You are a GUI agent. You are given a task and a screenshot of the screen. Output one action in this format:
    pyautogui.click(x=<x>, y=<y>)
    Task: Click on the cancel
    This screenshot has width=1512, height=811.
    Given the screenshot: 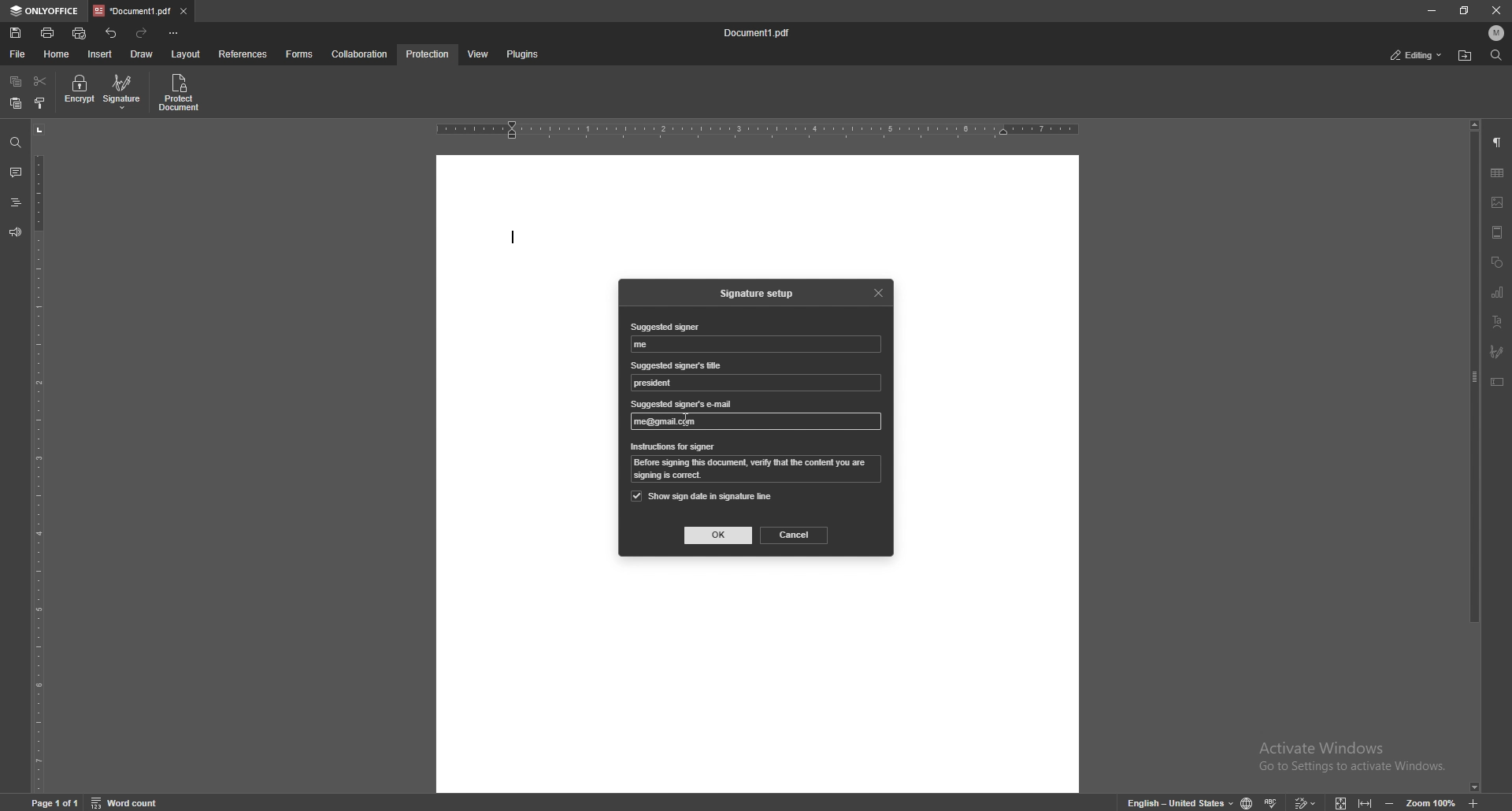 What is the action you would take?
    pyautogui.click(x=795, y=535)
    